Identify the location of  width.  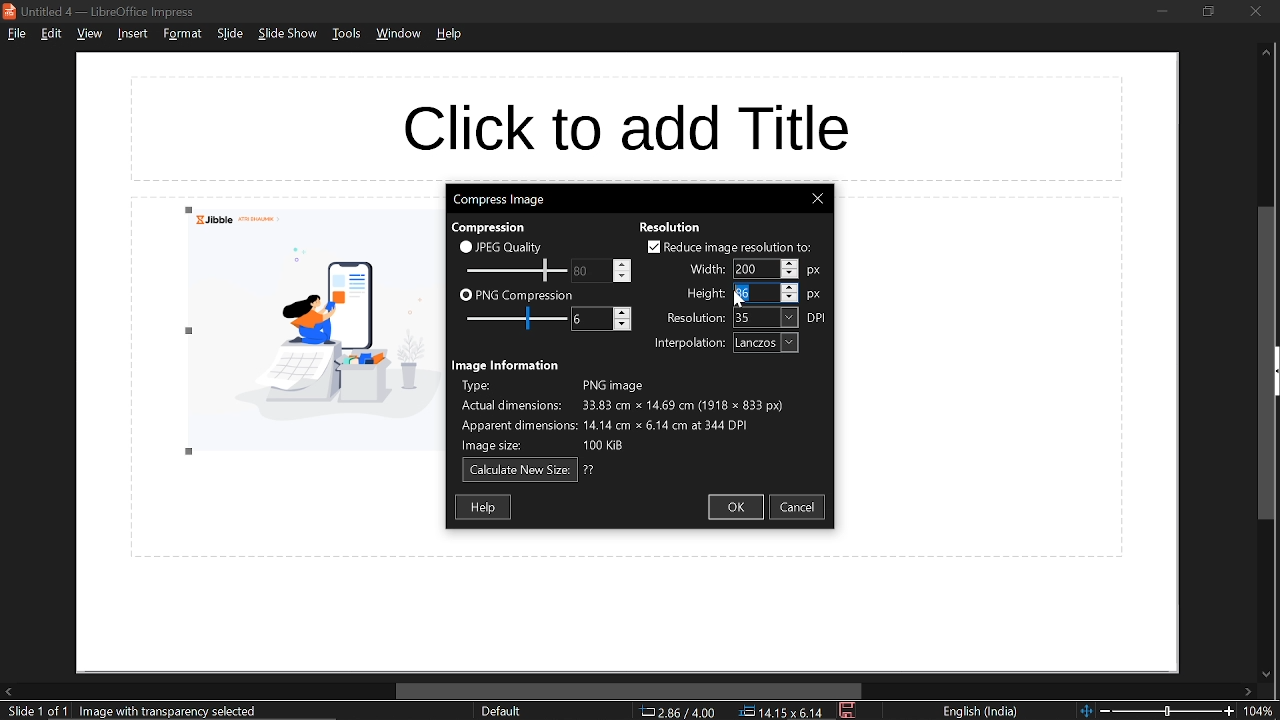
(754, 269).